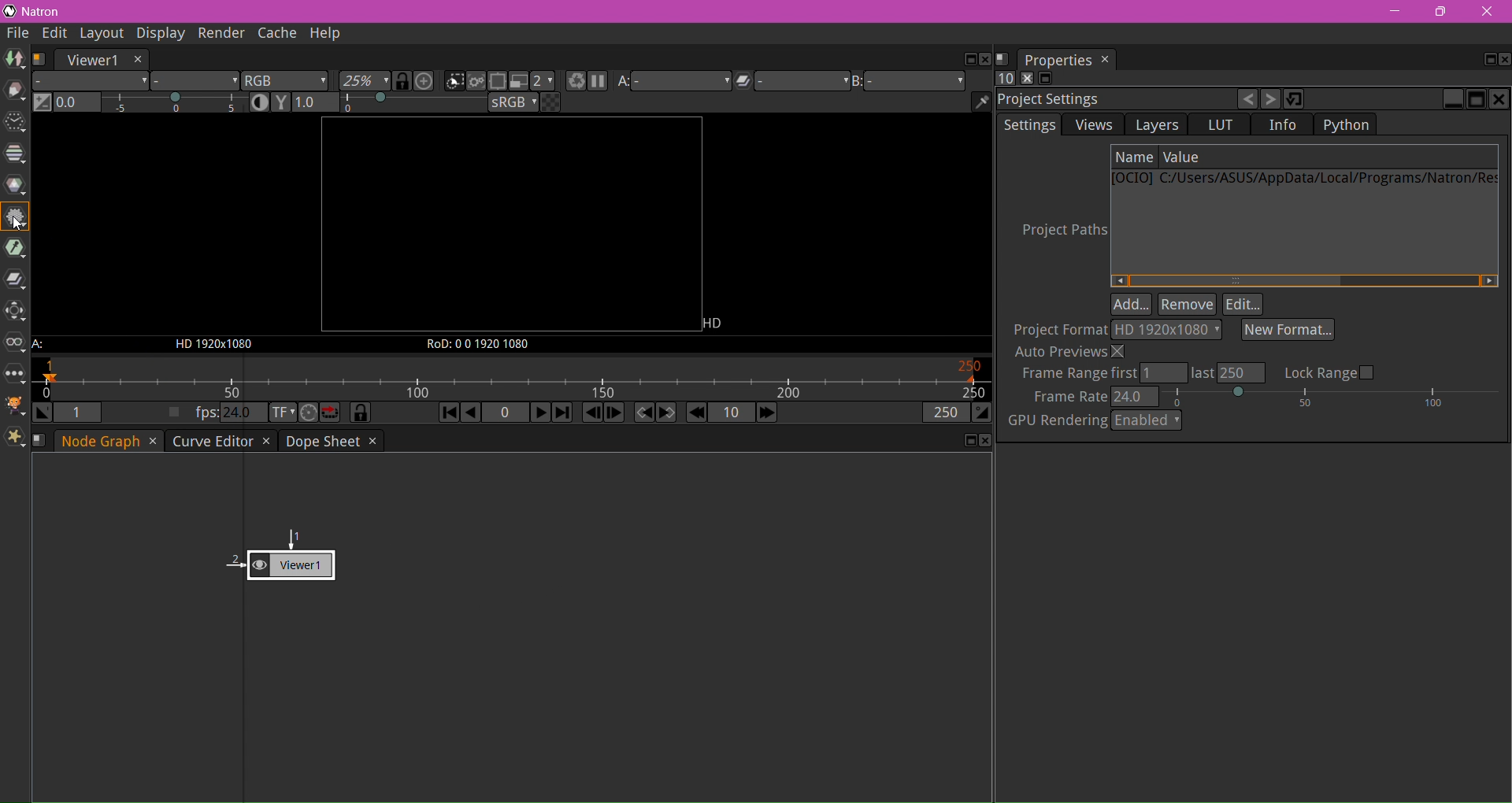  What do you see at coordinates (543, 81) in the screenshot?
I see `When the proxy mode is activated, it scales down the rendered image by this factor to accelerate the rendering` at bounding box center [543, 81].